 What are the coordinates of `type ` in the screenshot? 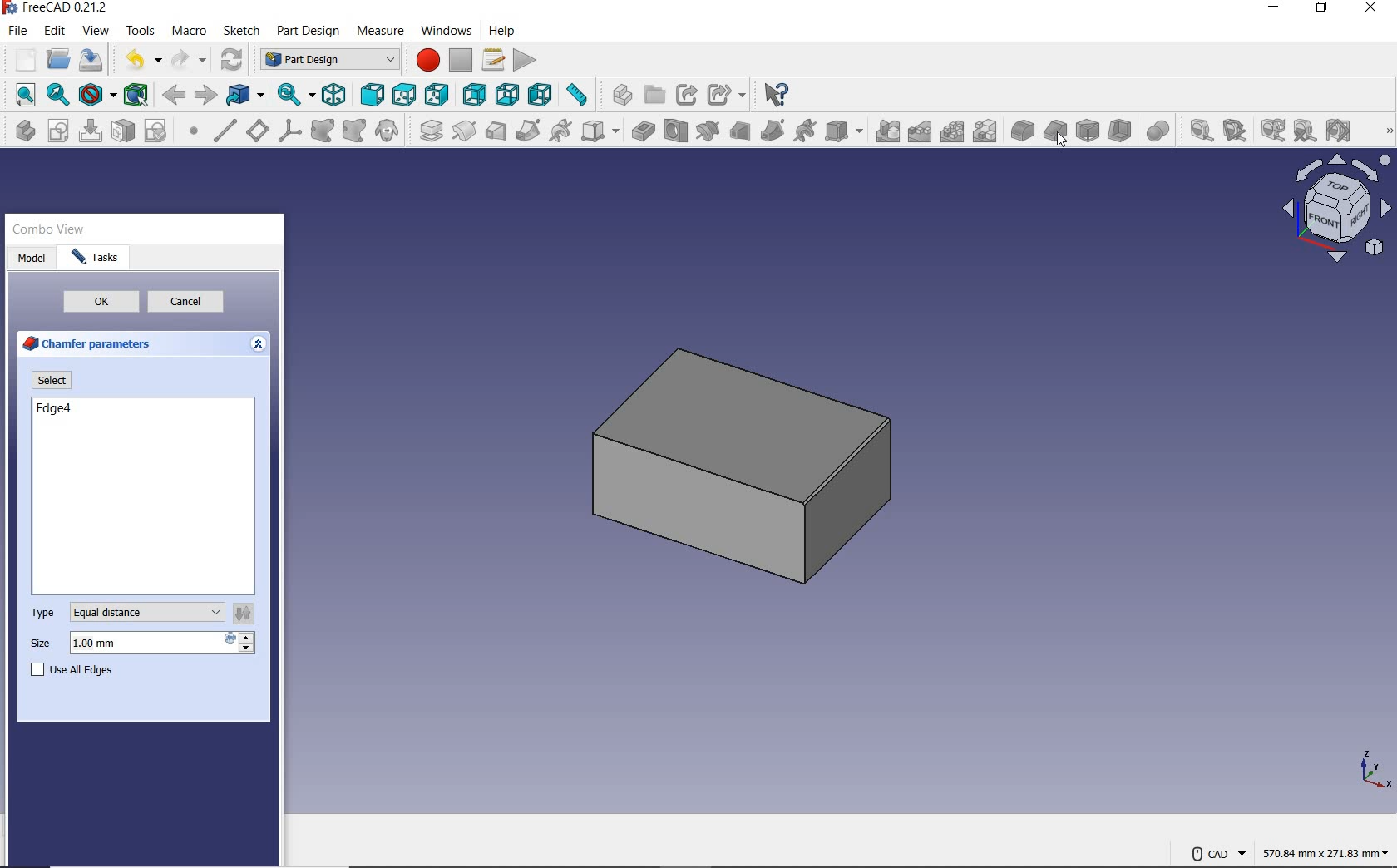 It's located at (44, 611).